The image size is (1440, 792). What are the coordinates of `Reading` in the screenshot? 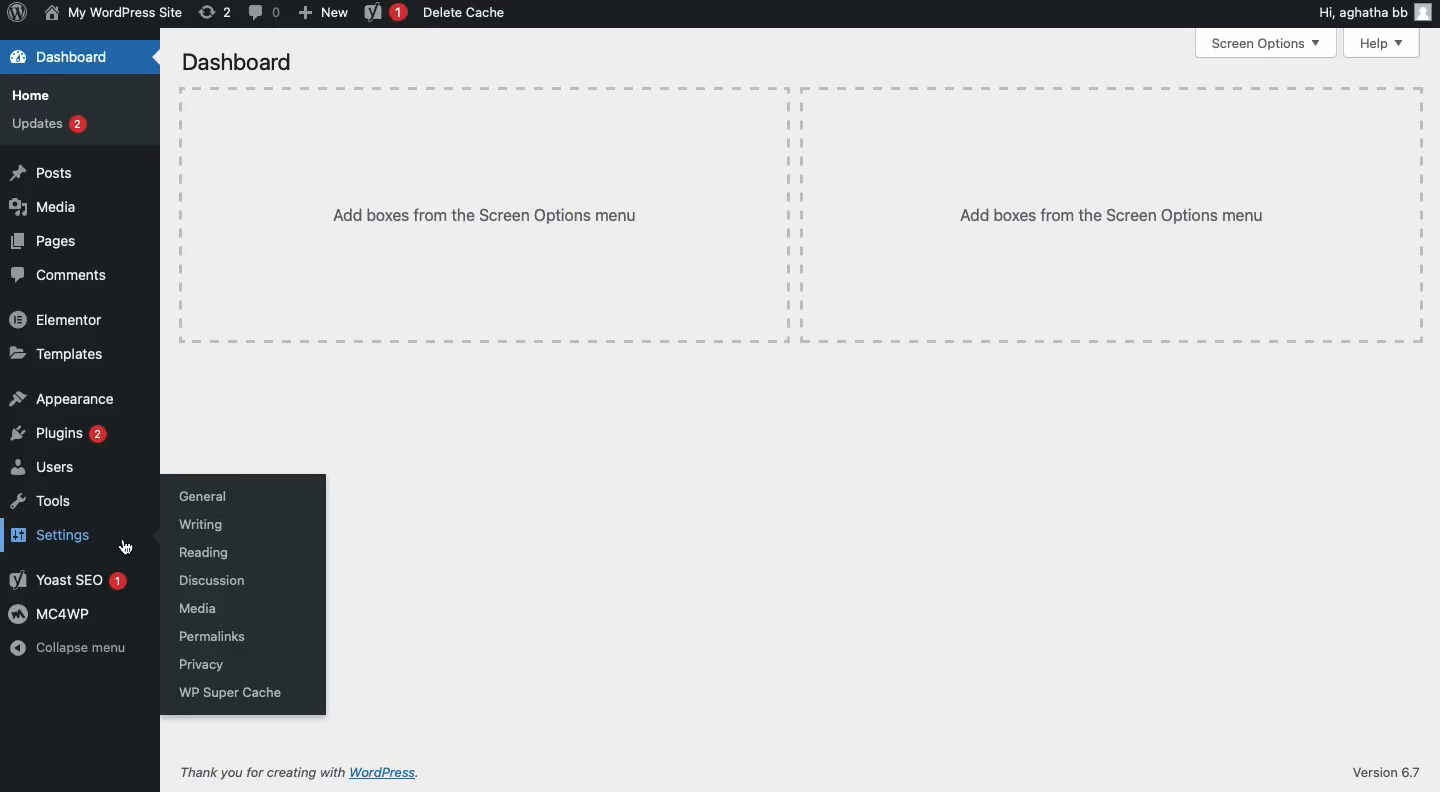 It's located at (202, 553).